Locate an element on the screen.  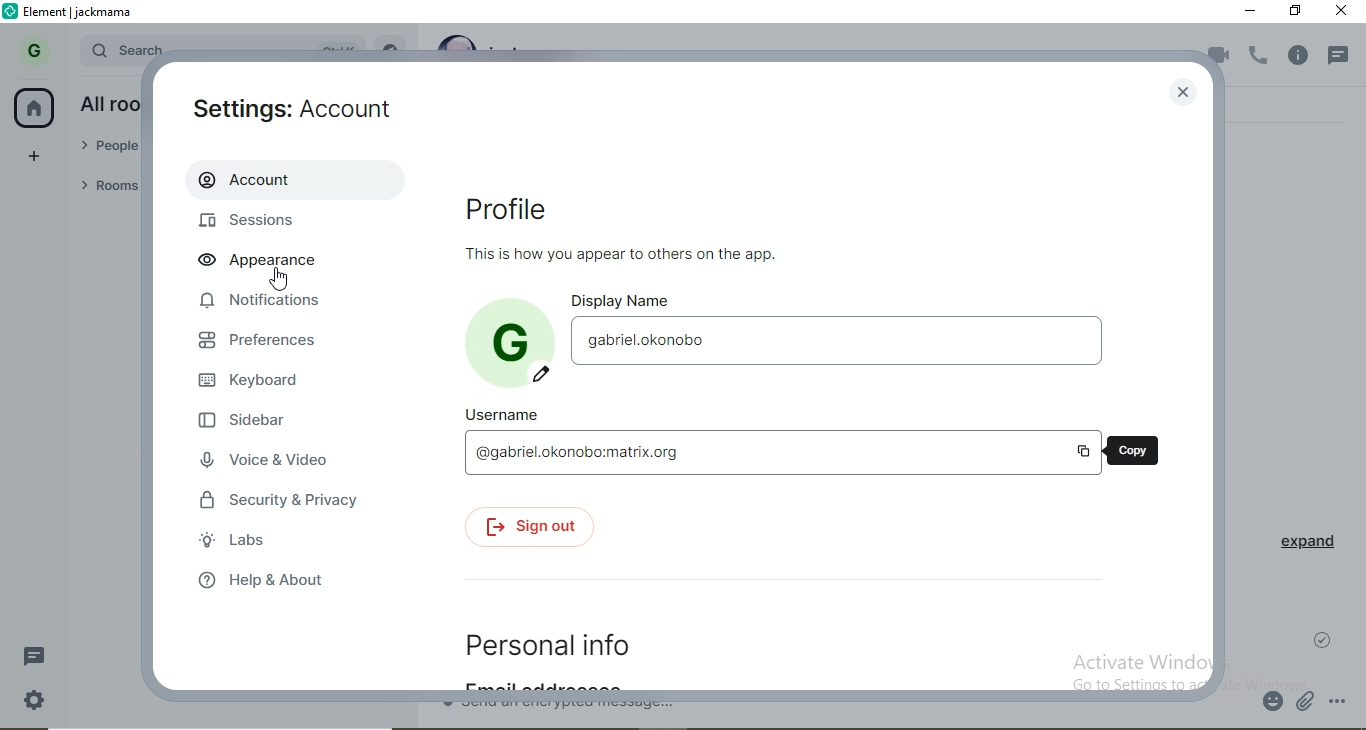
help & about is located at coordinates (273, 583).